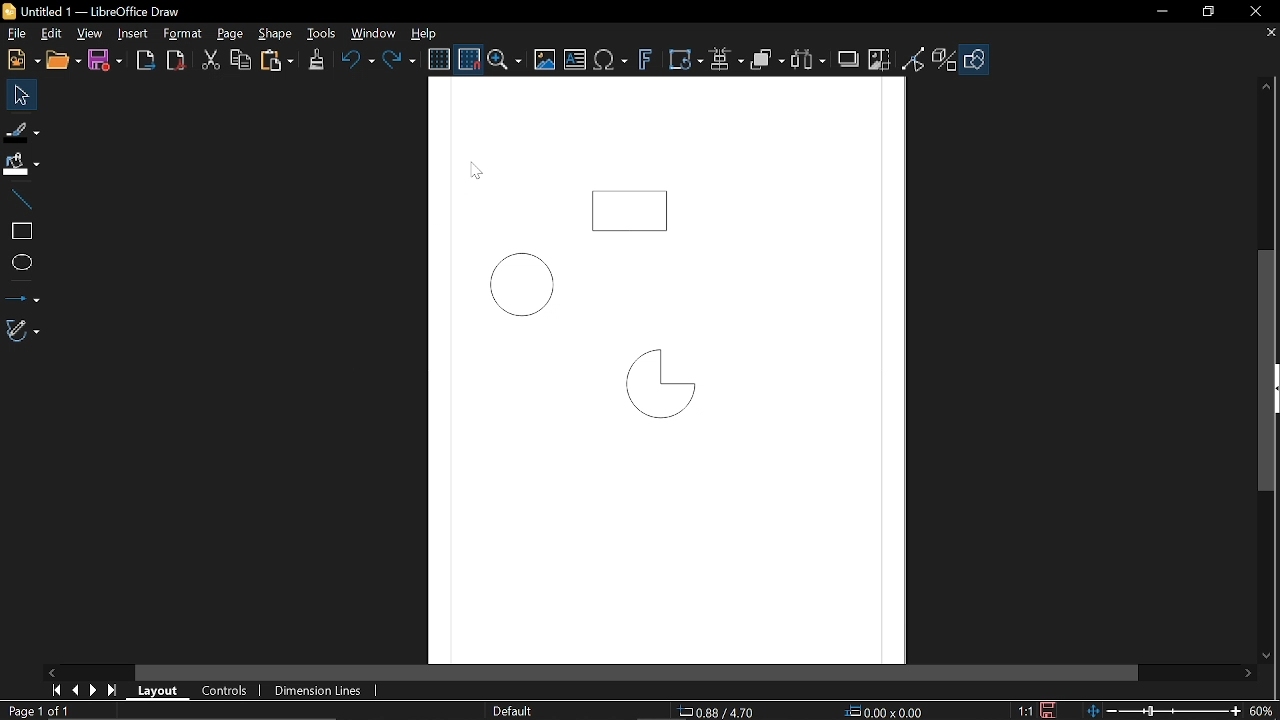 The image size is (1280, 720). I want to click on Previous page, so click(72, 690).